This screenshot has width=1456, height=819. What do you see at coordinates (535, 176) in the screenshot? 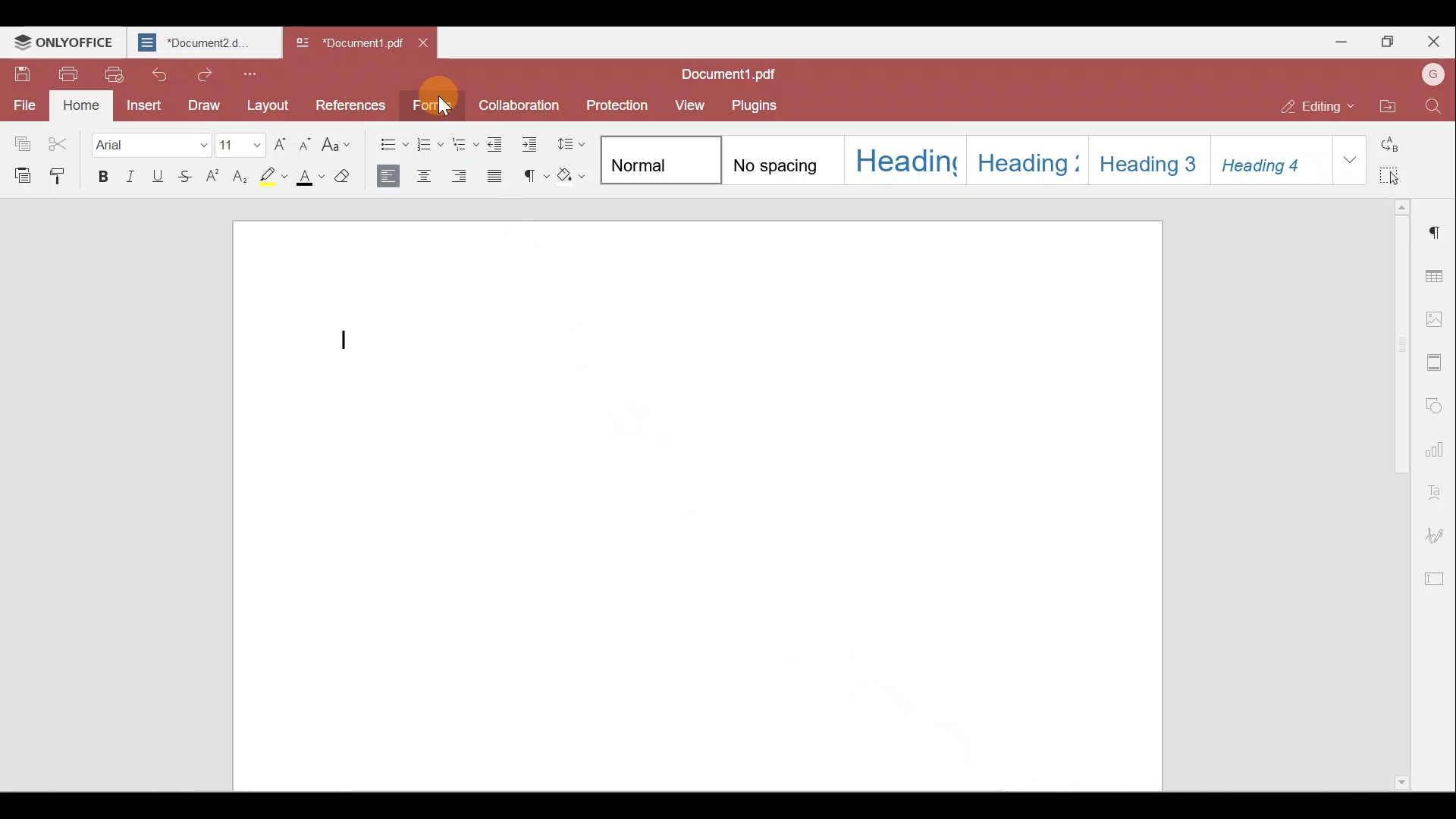
I see `Non printing characters` at bounding box center [535, 176].